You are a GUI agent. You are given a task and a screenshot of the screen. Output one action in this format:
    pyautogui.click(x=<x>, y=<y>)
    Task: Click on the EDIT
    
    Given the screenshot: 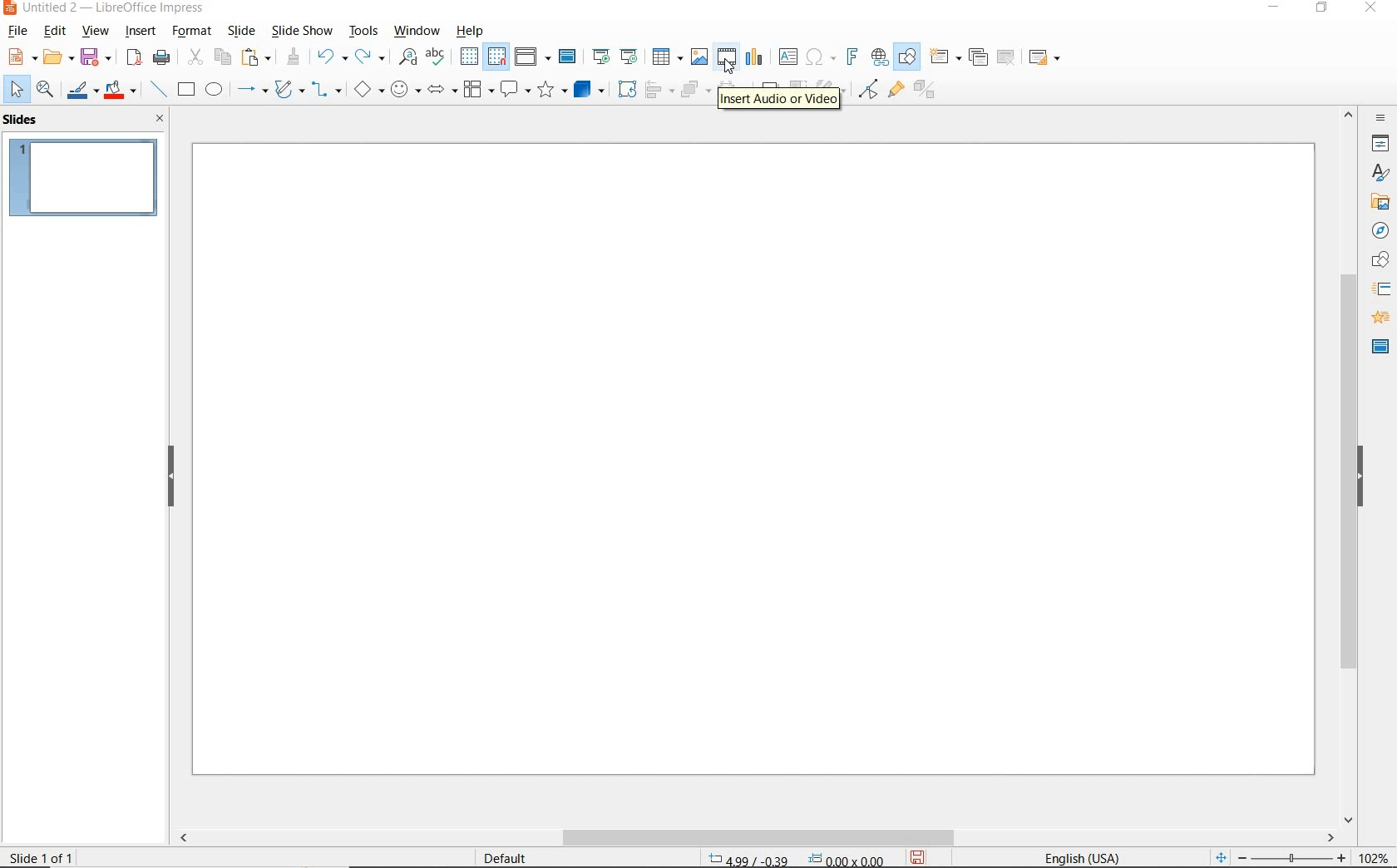 What is the action you would take?
    pyautogui.click(x=54, y=33)
    